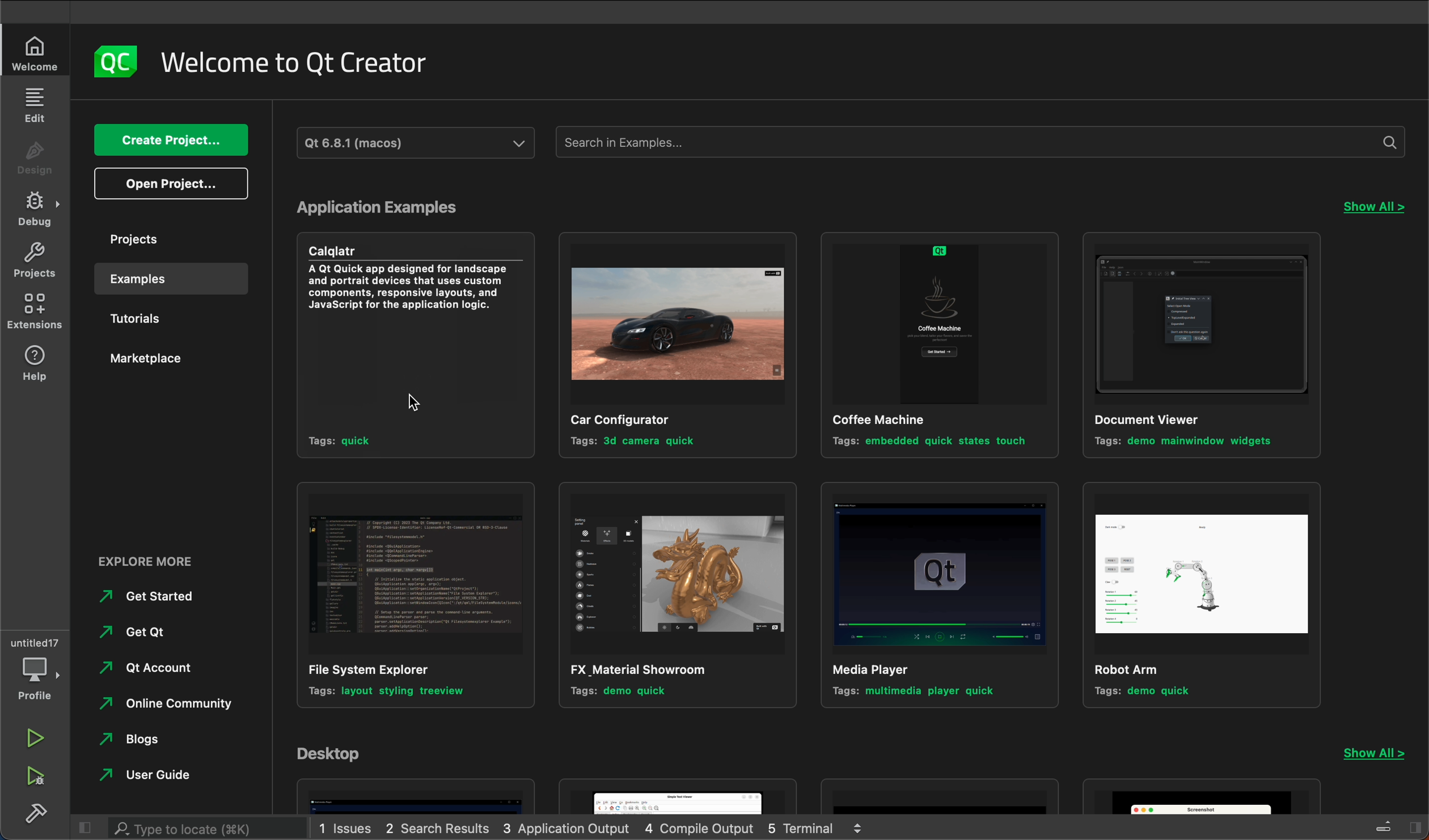  What do you see at coordinates (340, 754) in the screenshot?
I see `desktop` at bounding box center [340, 754].